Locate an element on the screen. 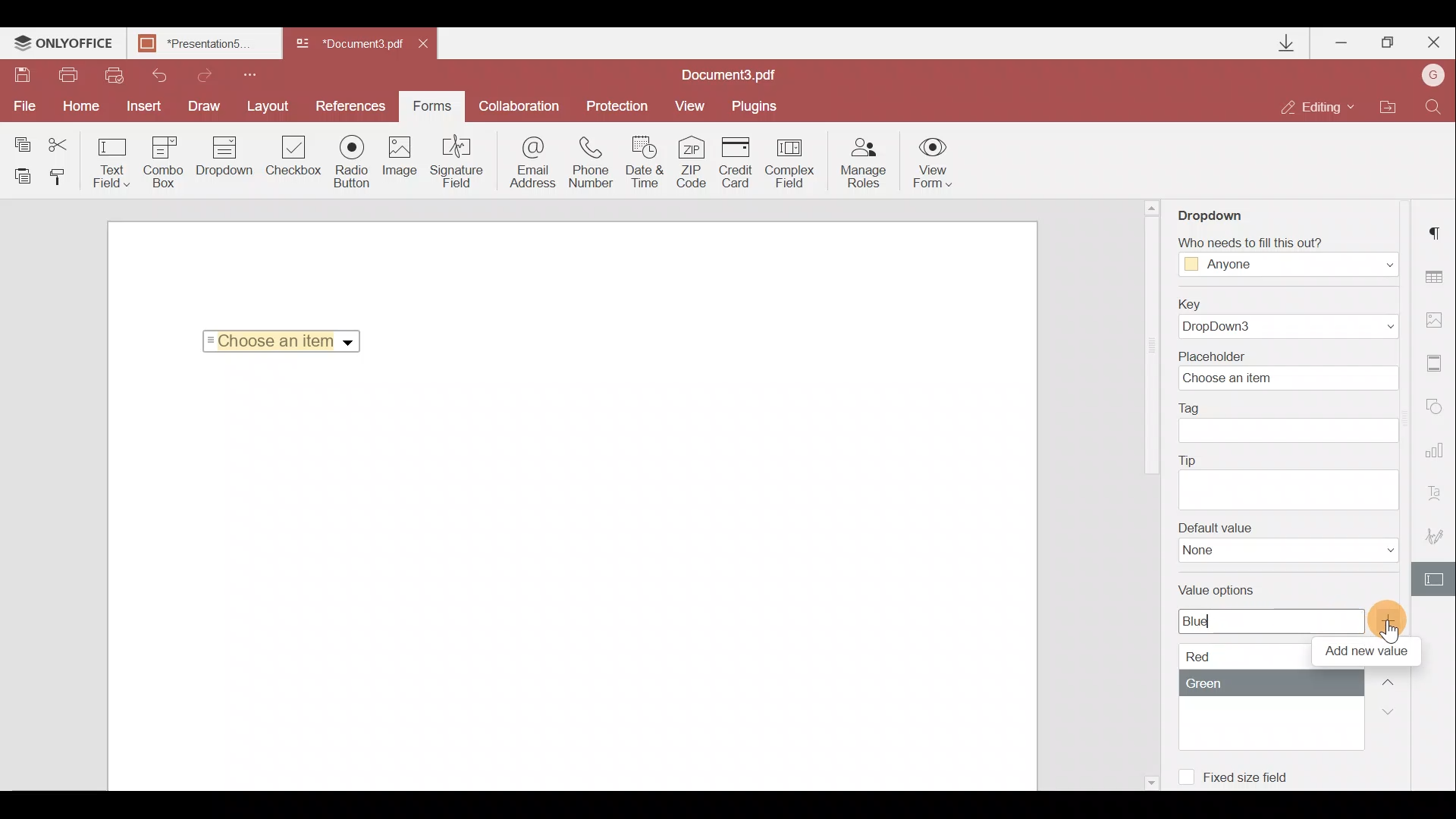  Text field is located at coordinates (109, 162).